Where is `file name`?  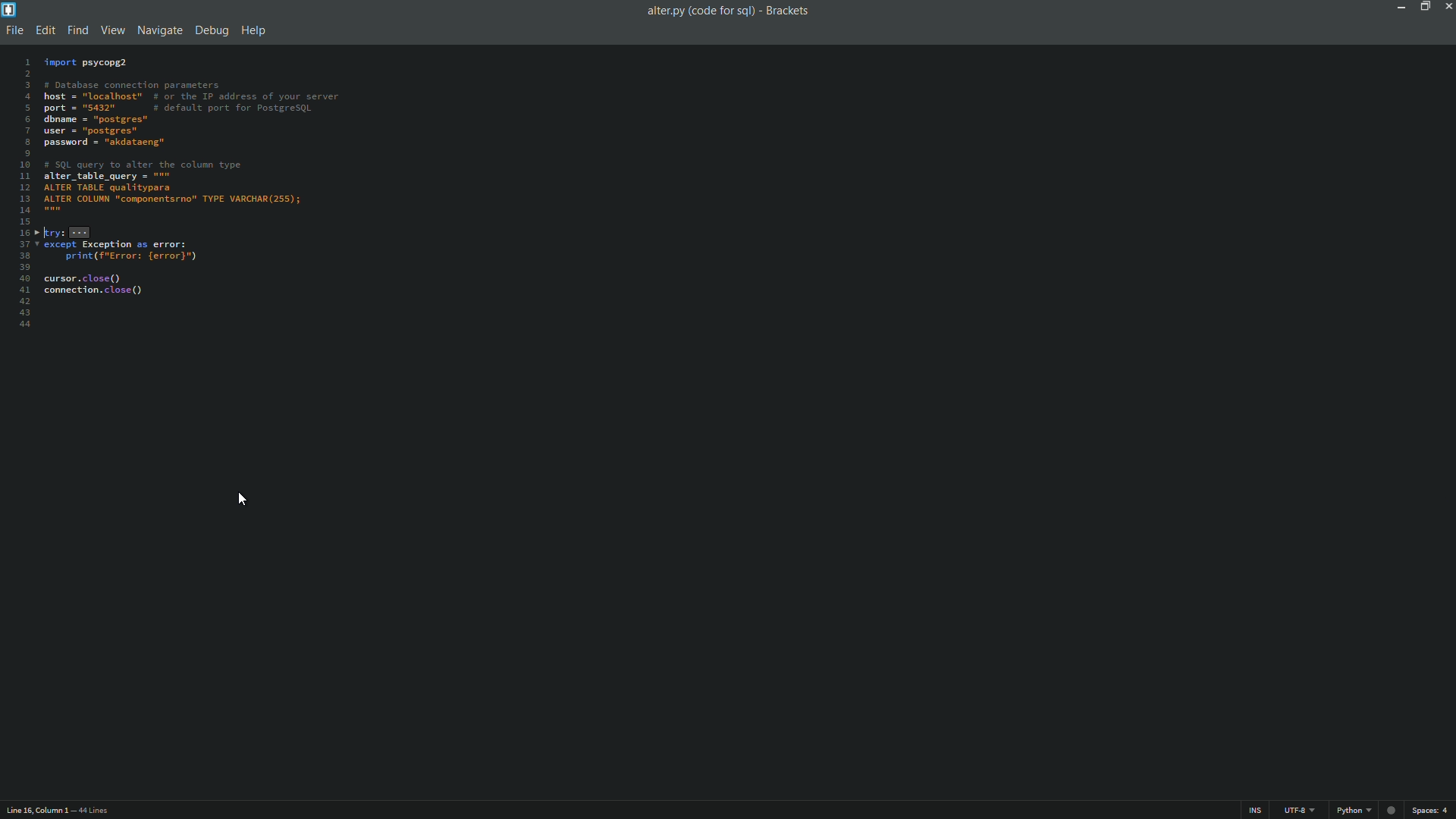 file name is located at coordinates (732, 11).